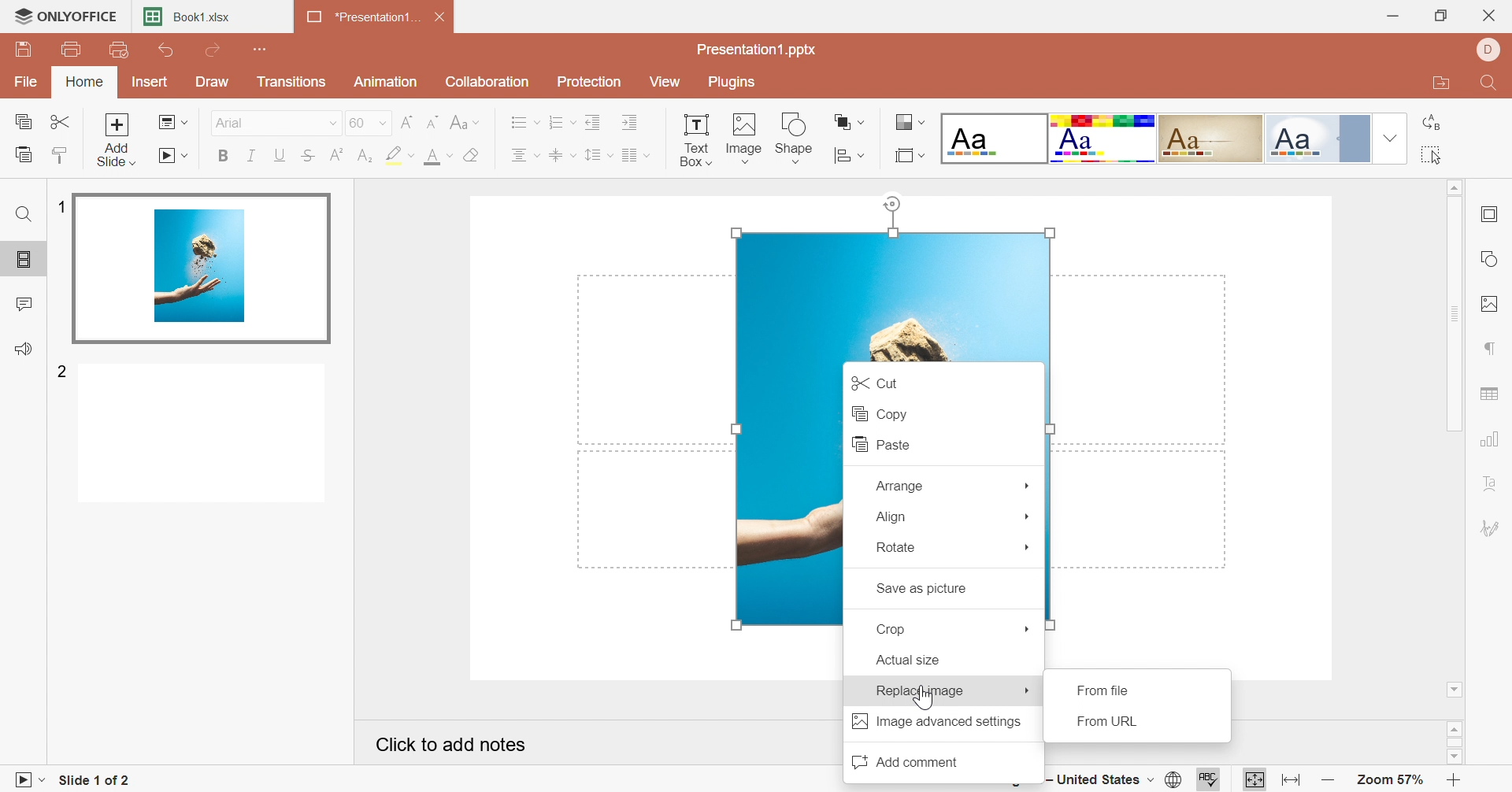 The height and width of the screenshot is (792, 1512). I want to click on Crop, so click(897, 629).